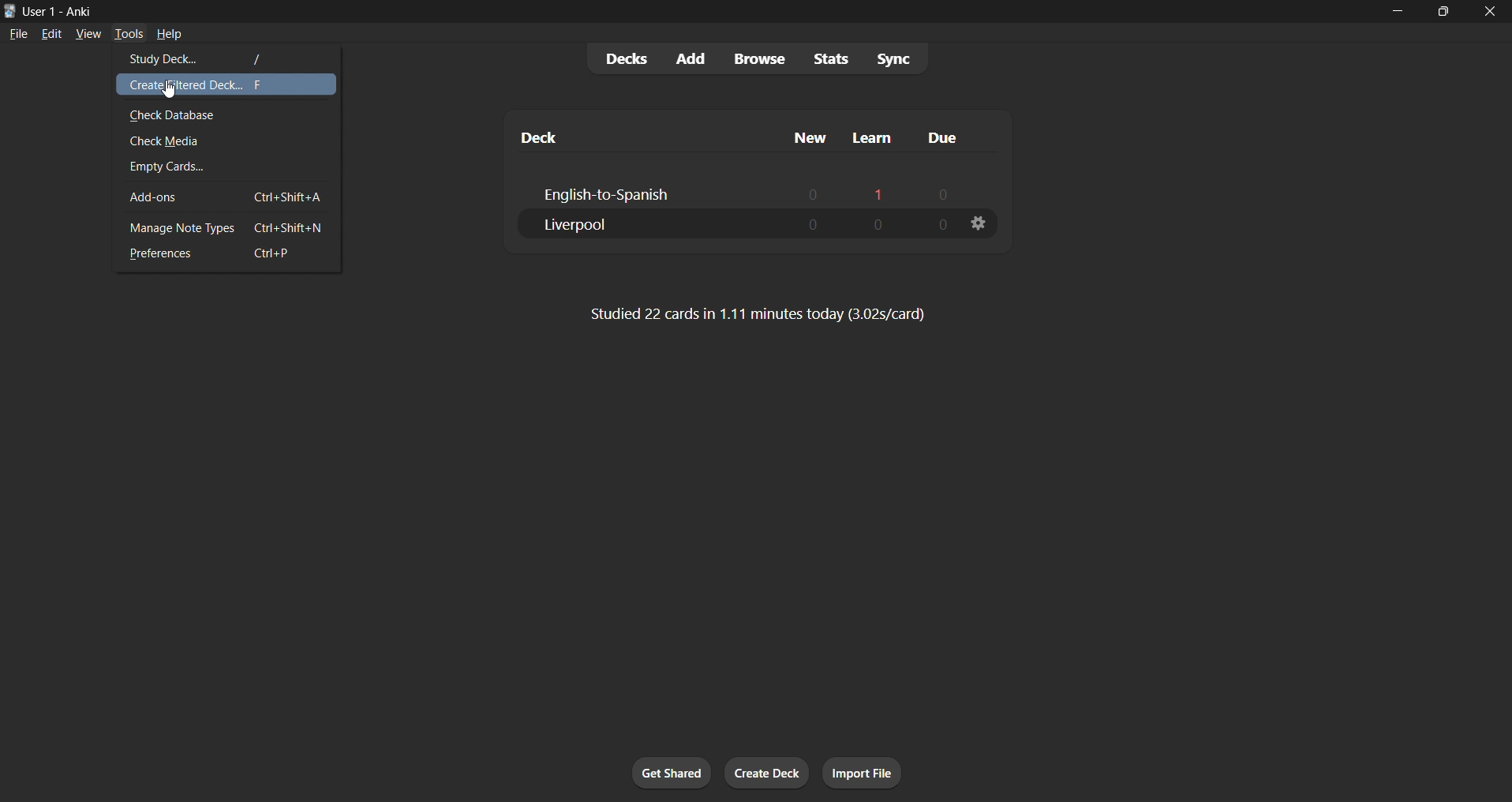 The width and height of the screenshot is (1512, 802). What do you see at coordinates (868, 139) in the screenshot?
I see `learn column` at bounding box center [868, 139].